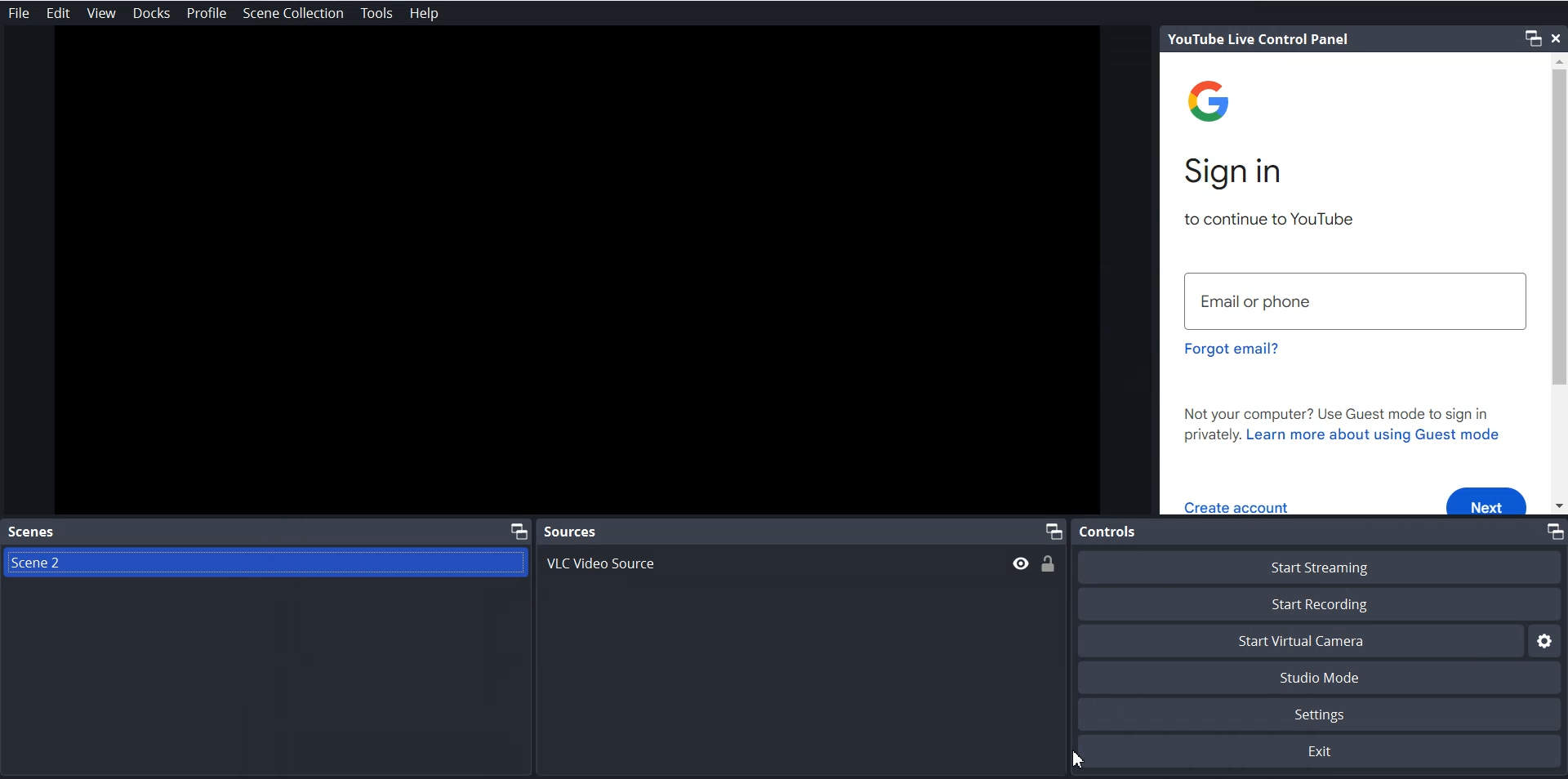 The image size is (1568, 779). What do you see at coordinates (1053, 532) in the screenshot?
I see `Maximize` at bounding box center [1053, 532].